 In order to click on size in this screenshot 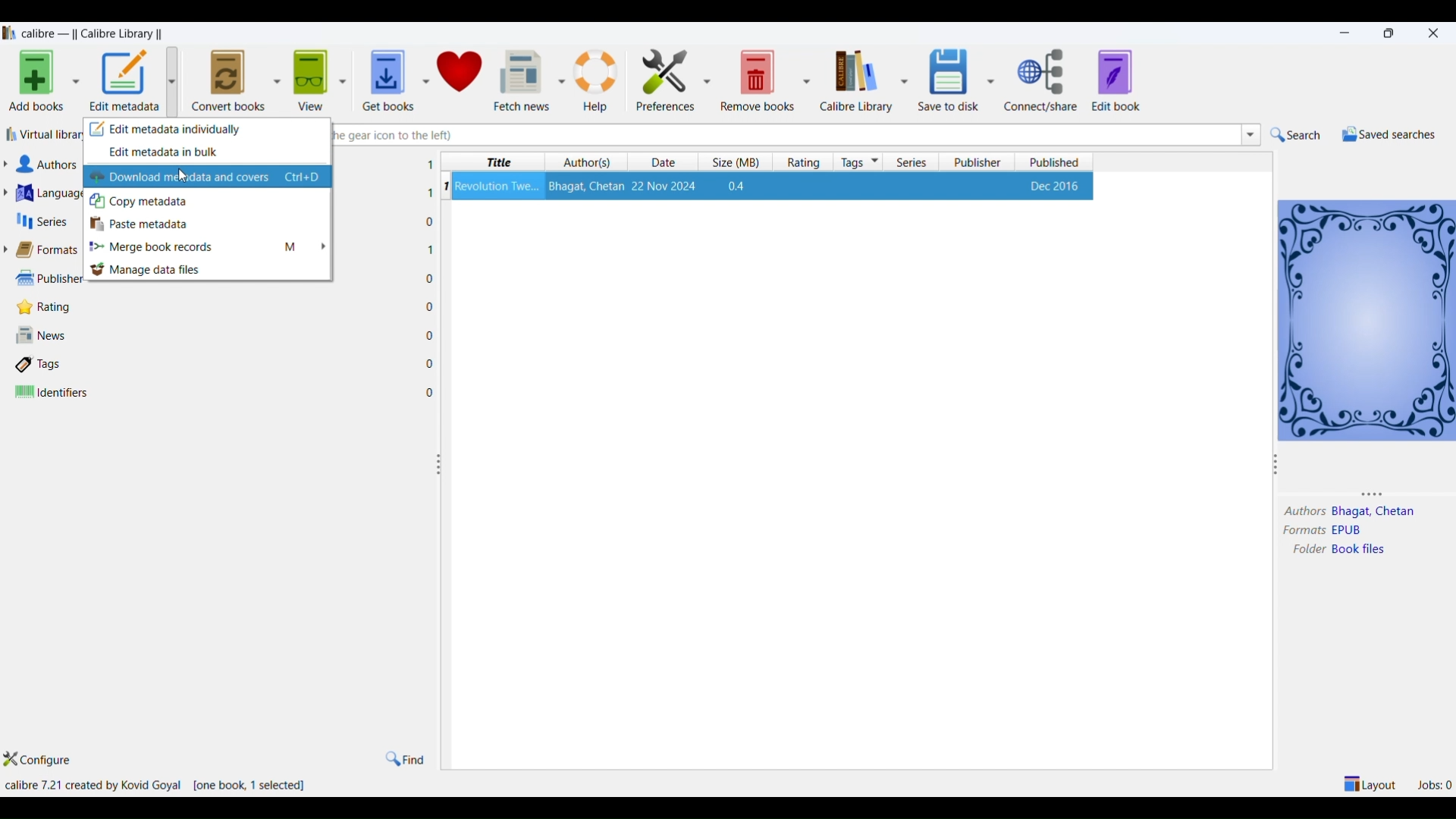, I will do `click(732, 162)`.